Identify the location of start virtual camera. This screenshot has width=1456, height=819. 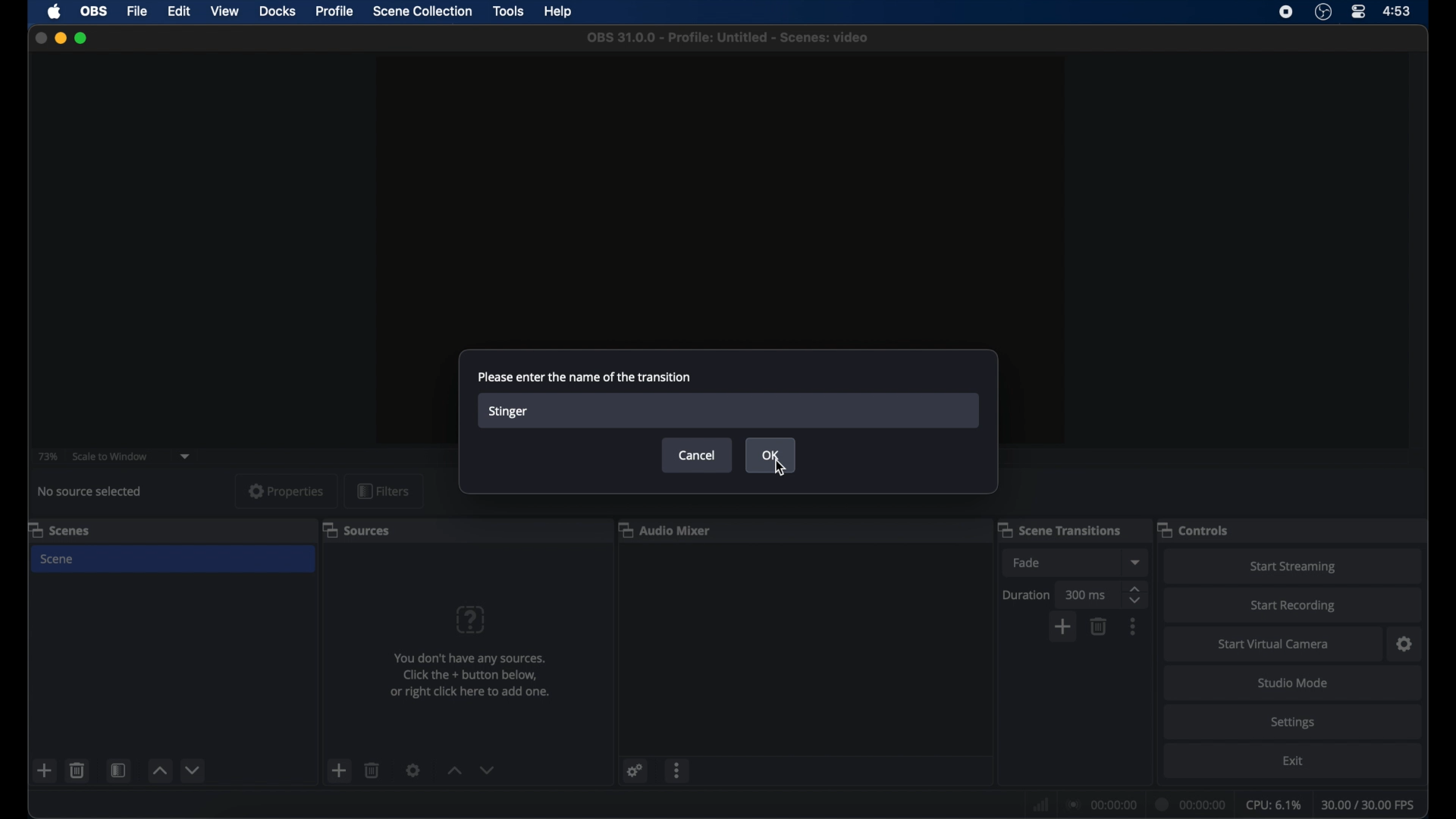
(1272, 645).